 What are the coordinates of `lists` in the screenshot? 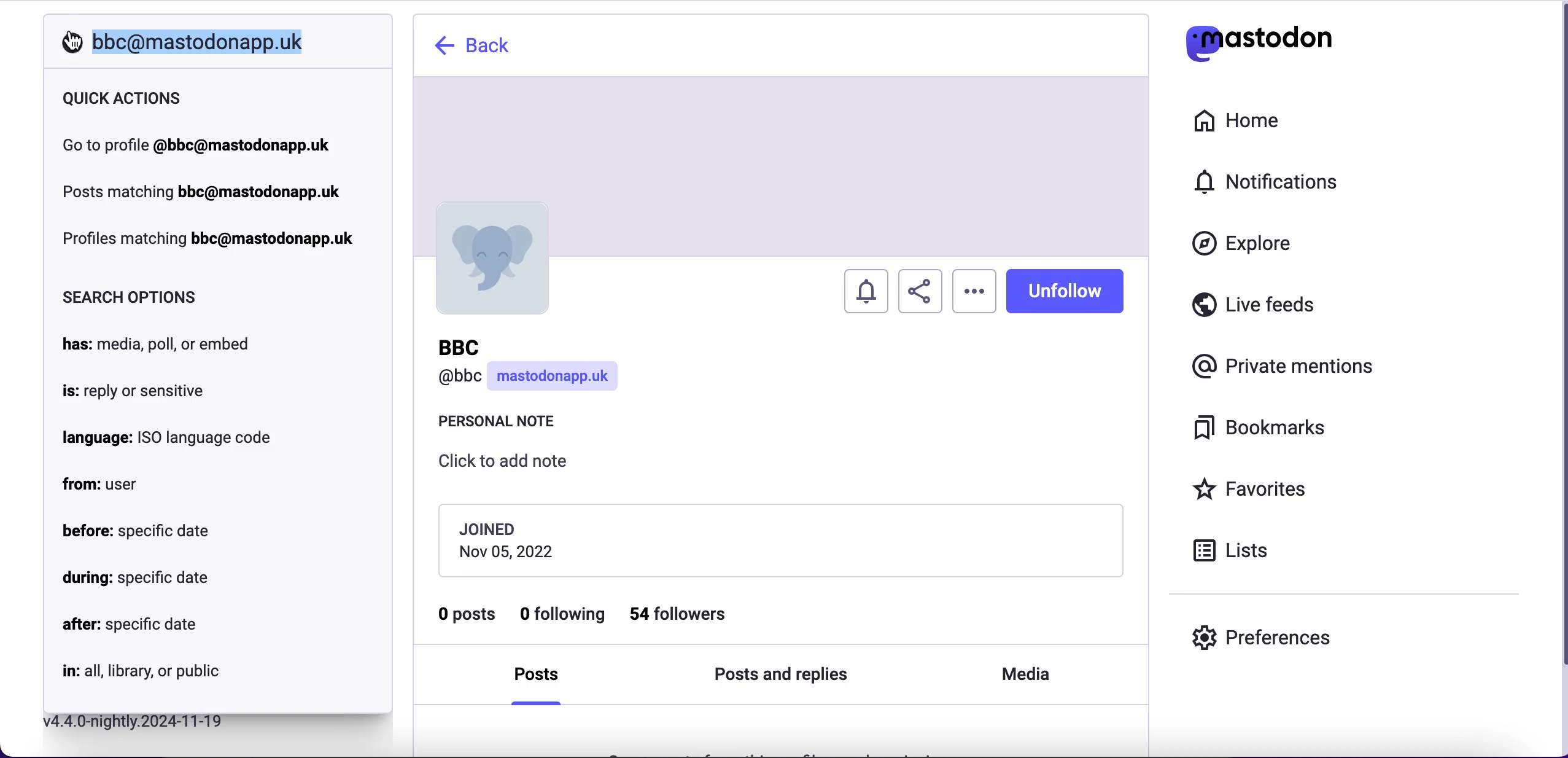 It's located at (1238, 549).